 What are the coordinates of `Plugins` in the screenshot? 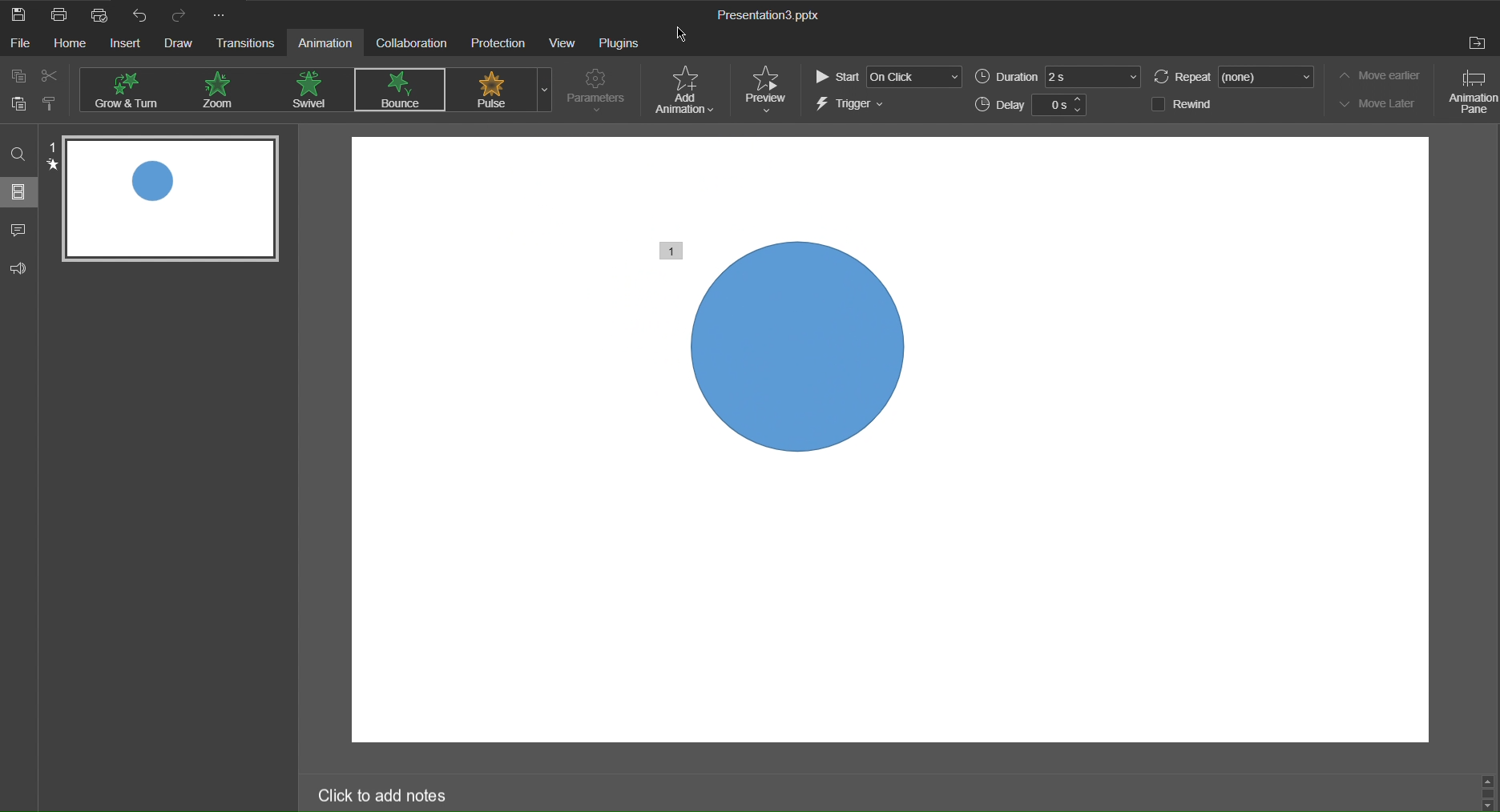 It's located at (616, 44).